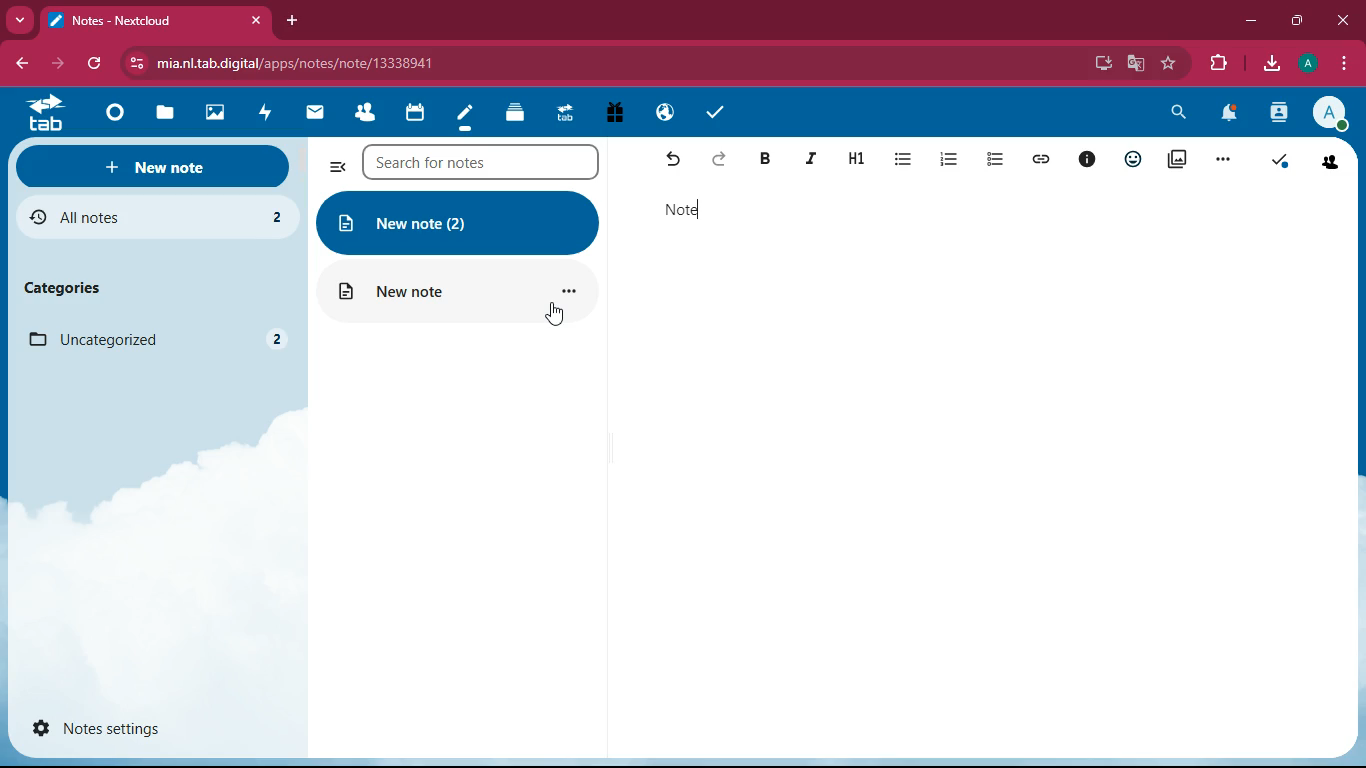 This screenshot has width=1366, height=768. I want to click on categories, so click(62, 287).